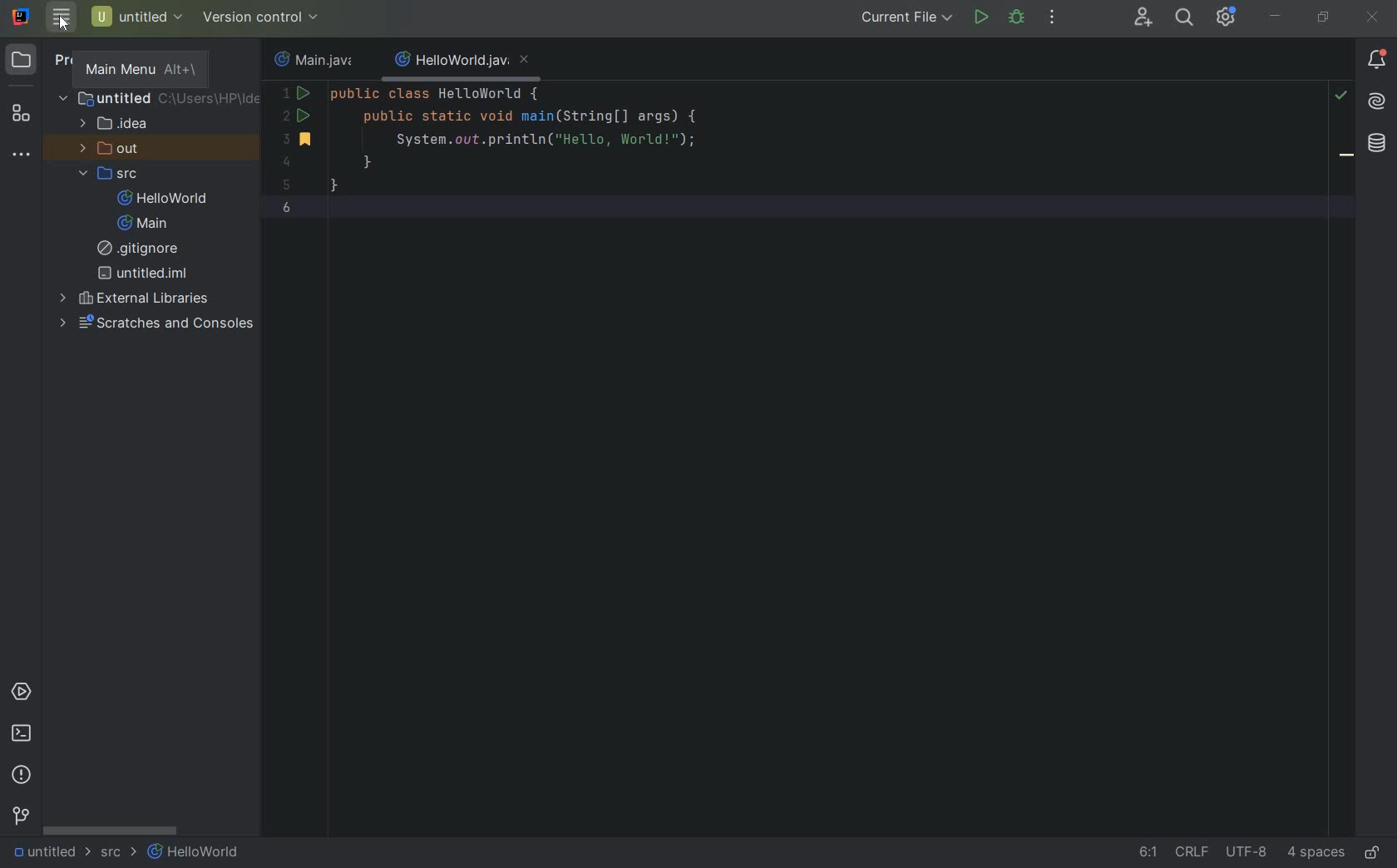 The height and width of the screenshot is (868, 1397). What do you see at coordinates (157, 100) in the screenshot?
I see `UNTITLED` at bounding box center [157, 100].